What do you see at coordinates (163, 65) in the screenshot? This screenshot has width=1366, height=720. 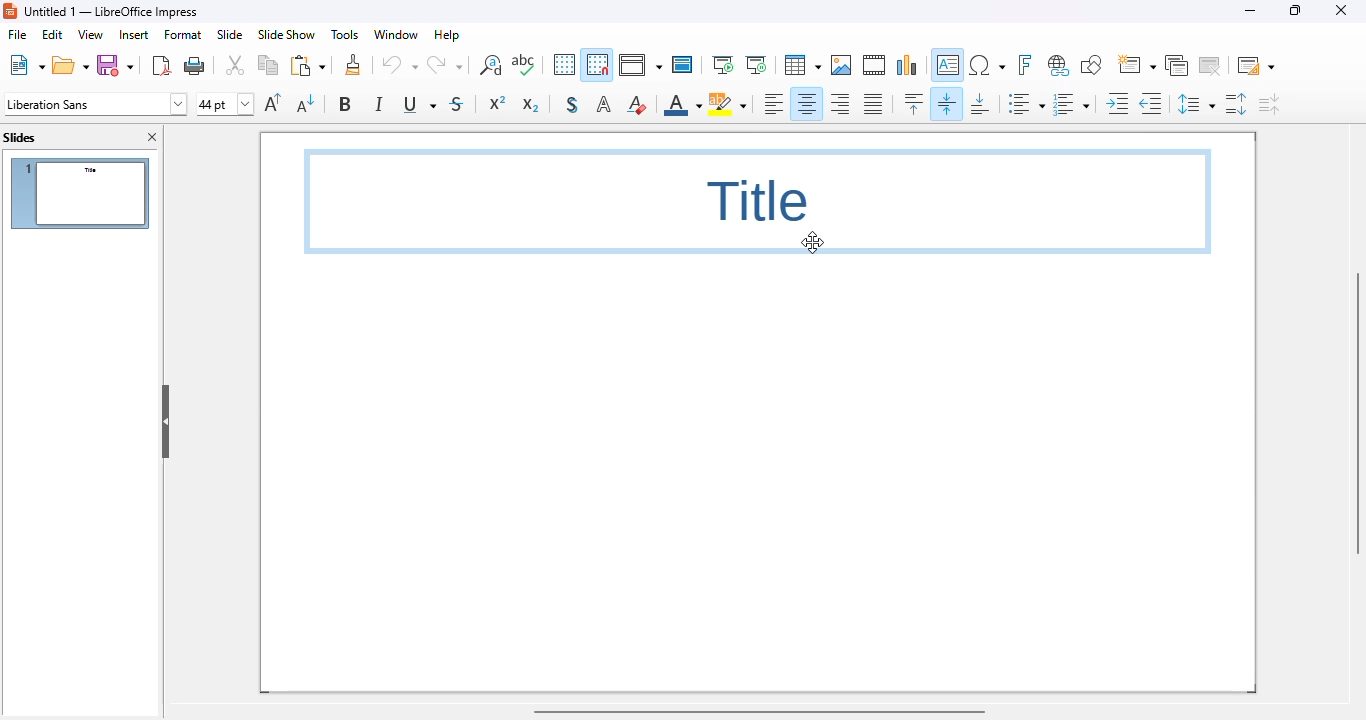 I see `export directly as PDF` at bounding box center [163, 65].